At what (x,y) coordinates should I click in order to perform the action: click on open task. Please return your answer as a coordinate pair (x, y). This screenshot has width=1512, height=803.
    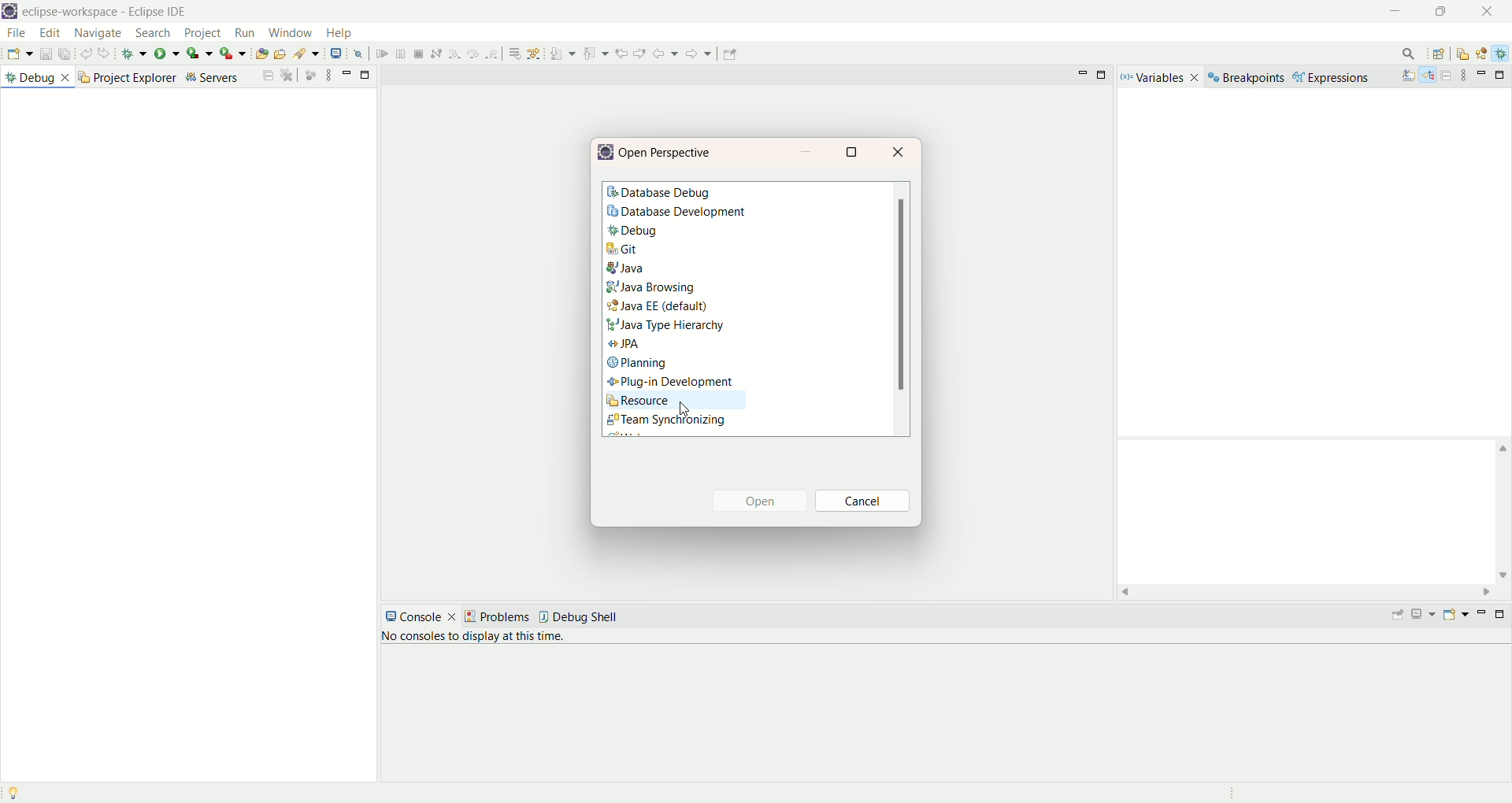
    Looking at the image, I should click on (350, 53).